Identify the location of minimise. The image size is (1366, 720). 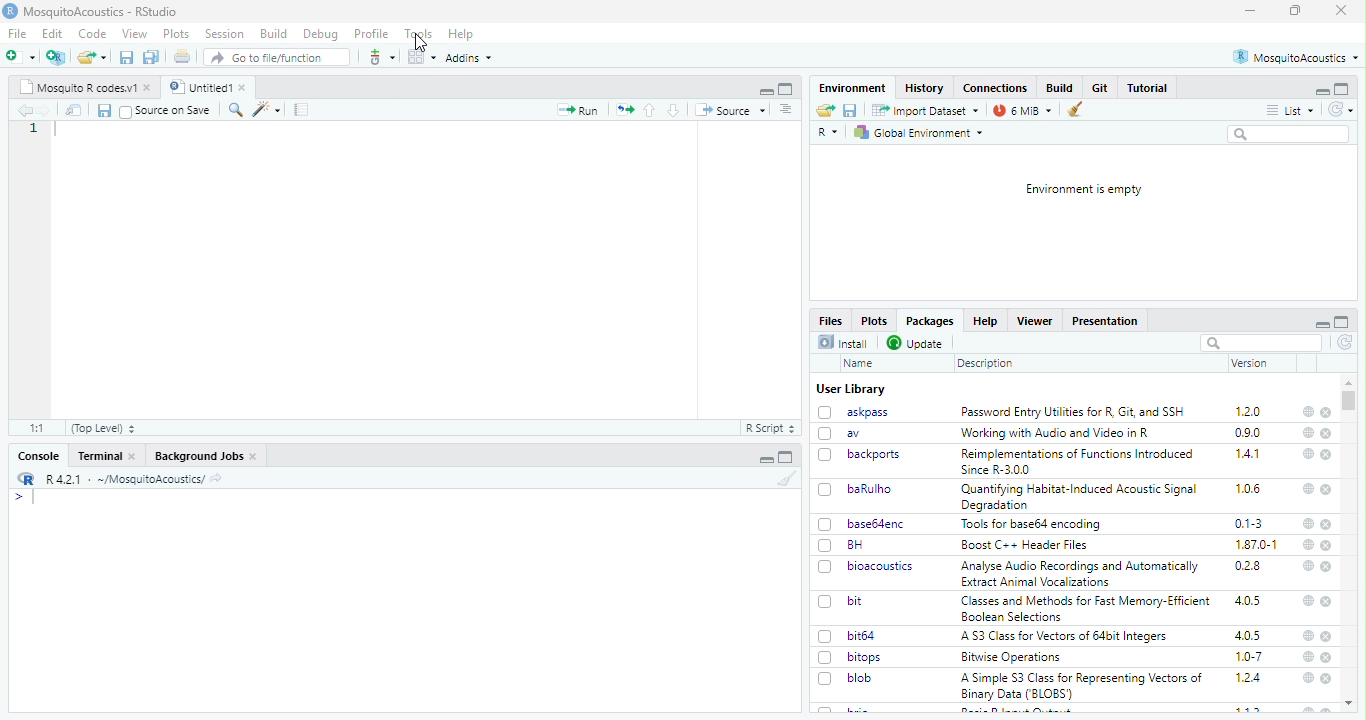
(768, 92).